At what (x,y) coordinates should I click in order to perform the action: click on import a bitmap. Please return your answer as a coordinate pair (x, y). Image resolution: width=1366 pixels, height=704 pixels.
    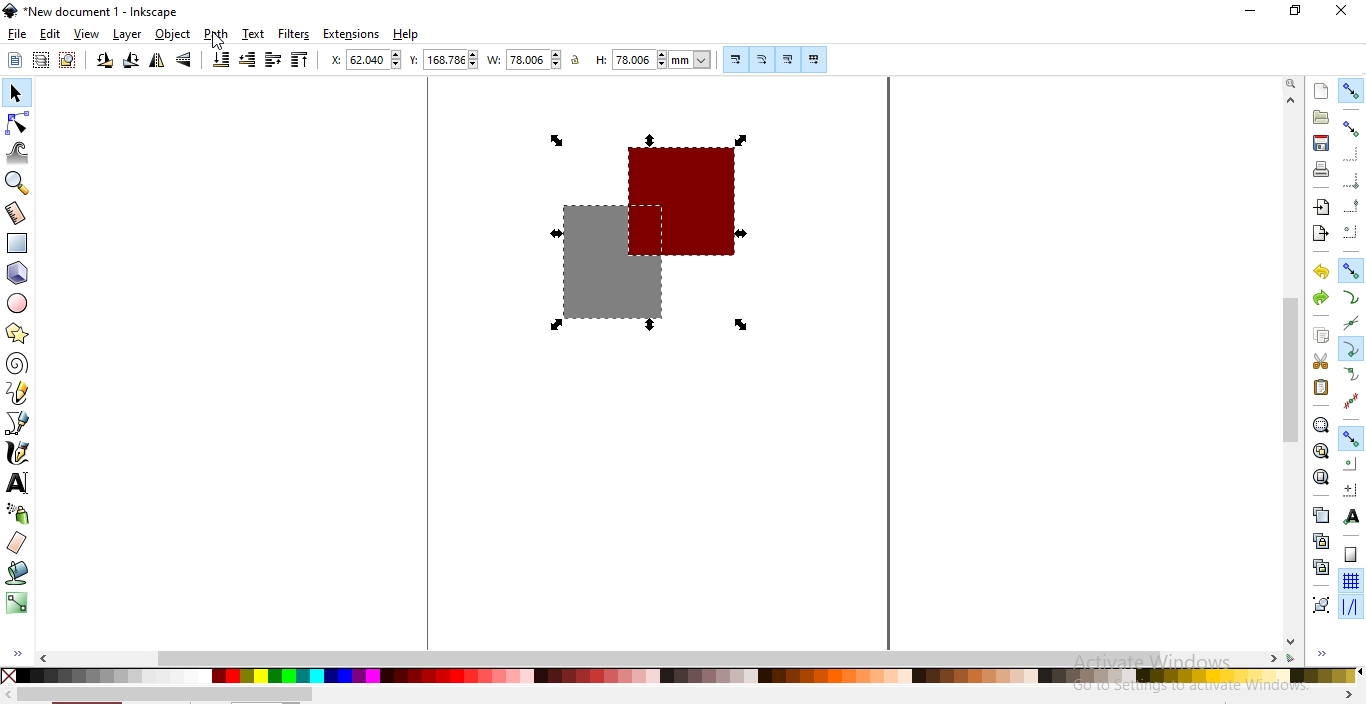
    Looking at the image, I should click on (1320, 208).